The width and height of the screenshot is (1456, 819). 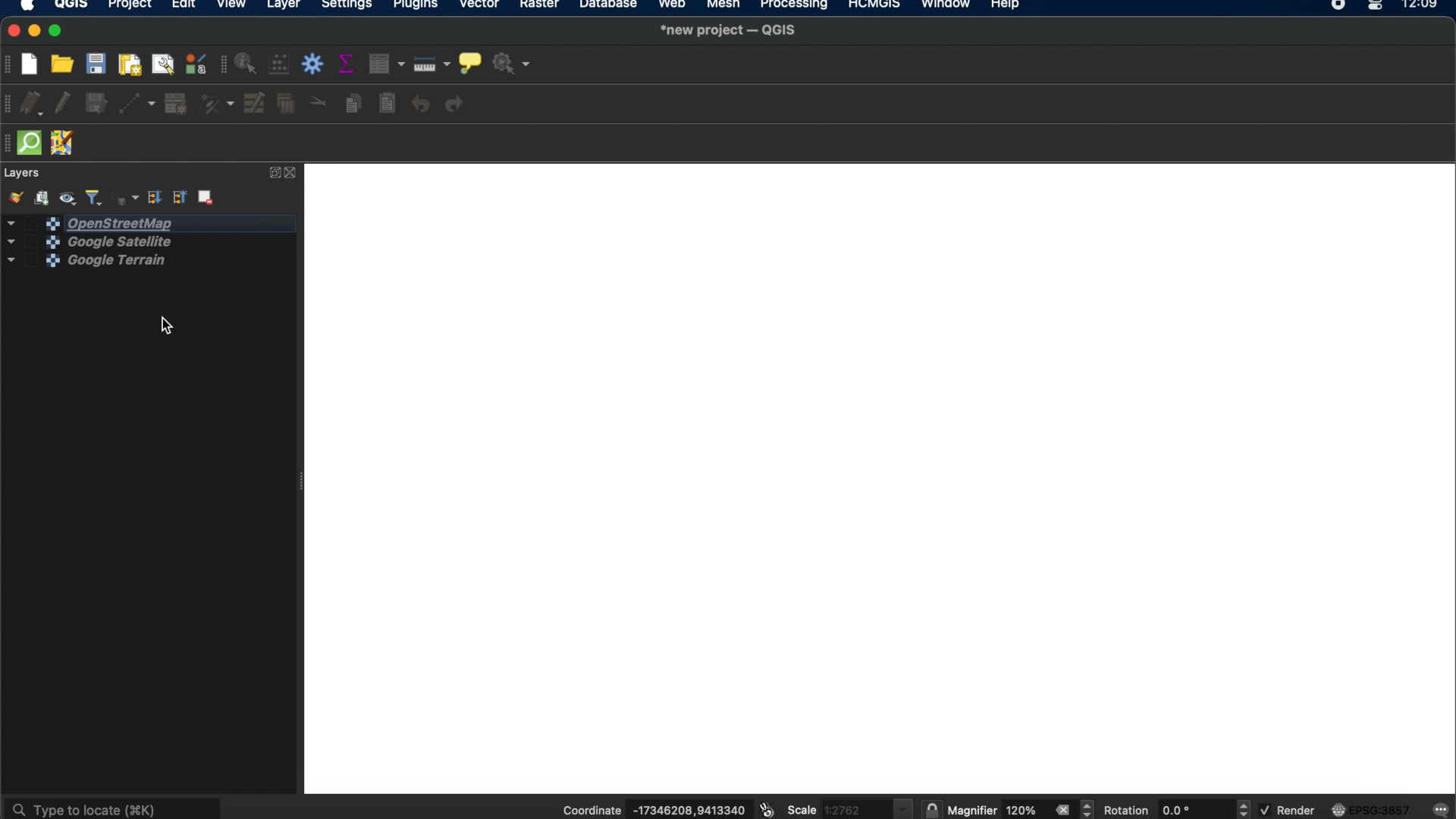 I want to click on window, so click(x=945, y=6).